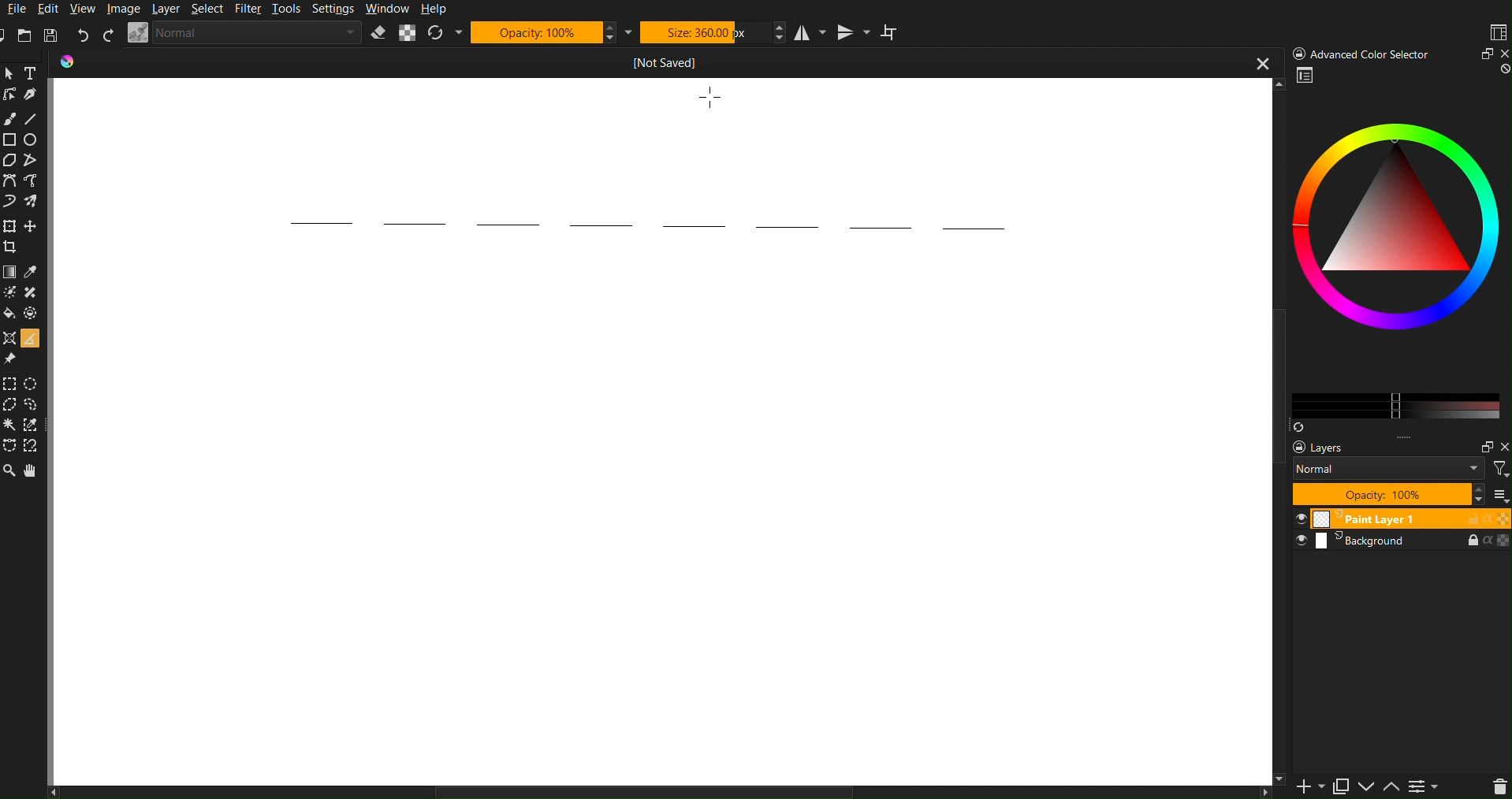 The width and height of the screenshot is (1512, 799). What do you see at coordinates (32, 93) in the screenshot?
I see `Pen` at bounding box center [32, 93].